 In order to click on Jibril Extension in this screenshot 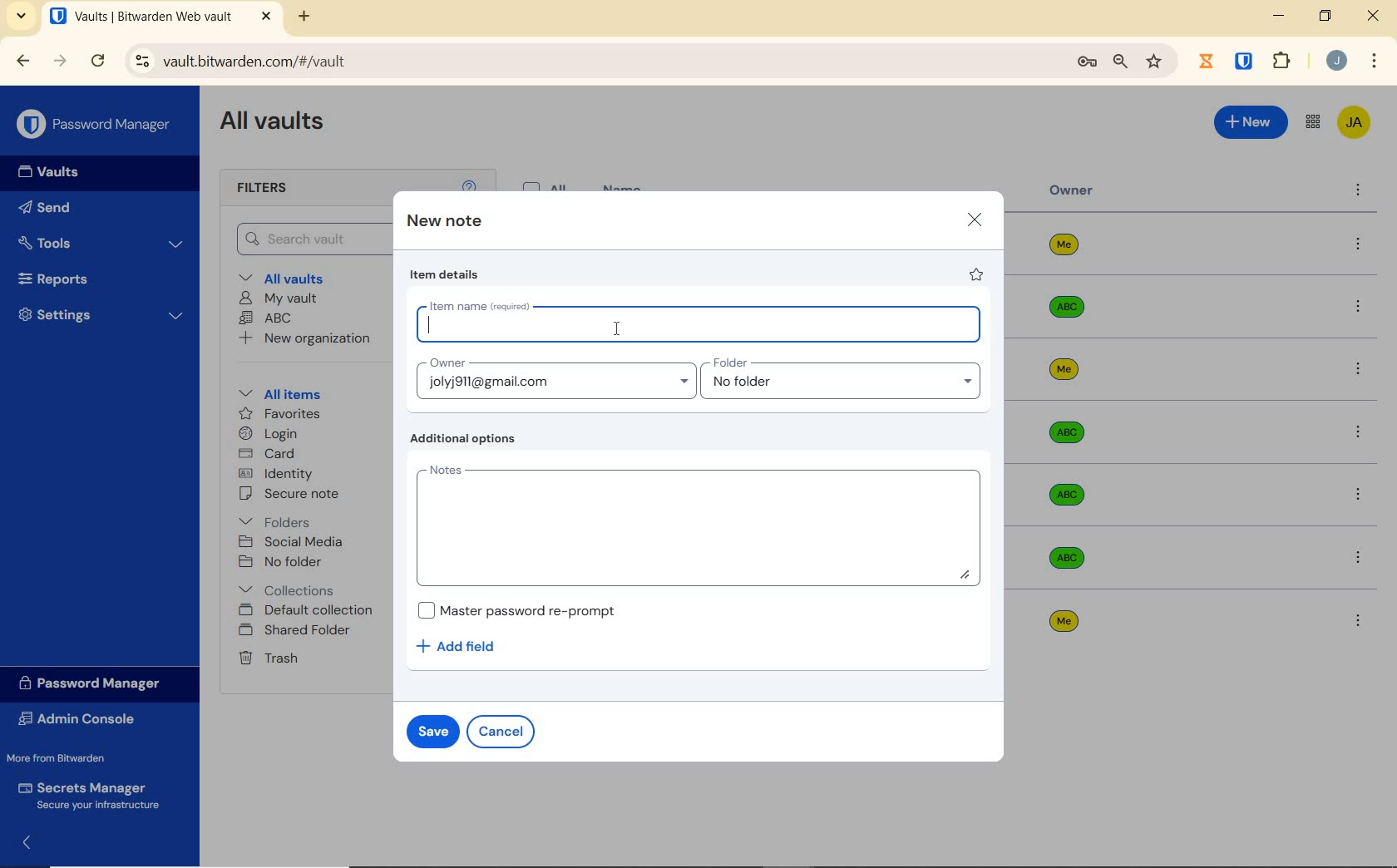, I will do `click(1208, 61)`.